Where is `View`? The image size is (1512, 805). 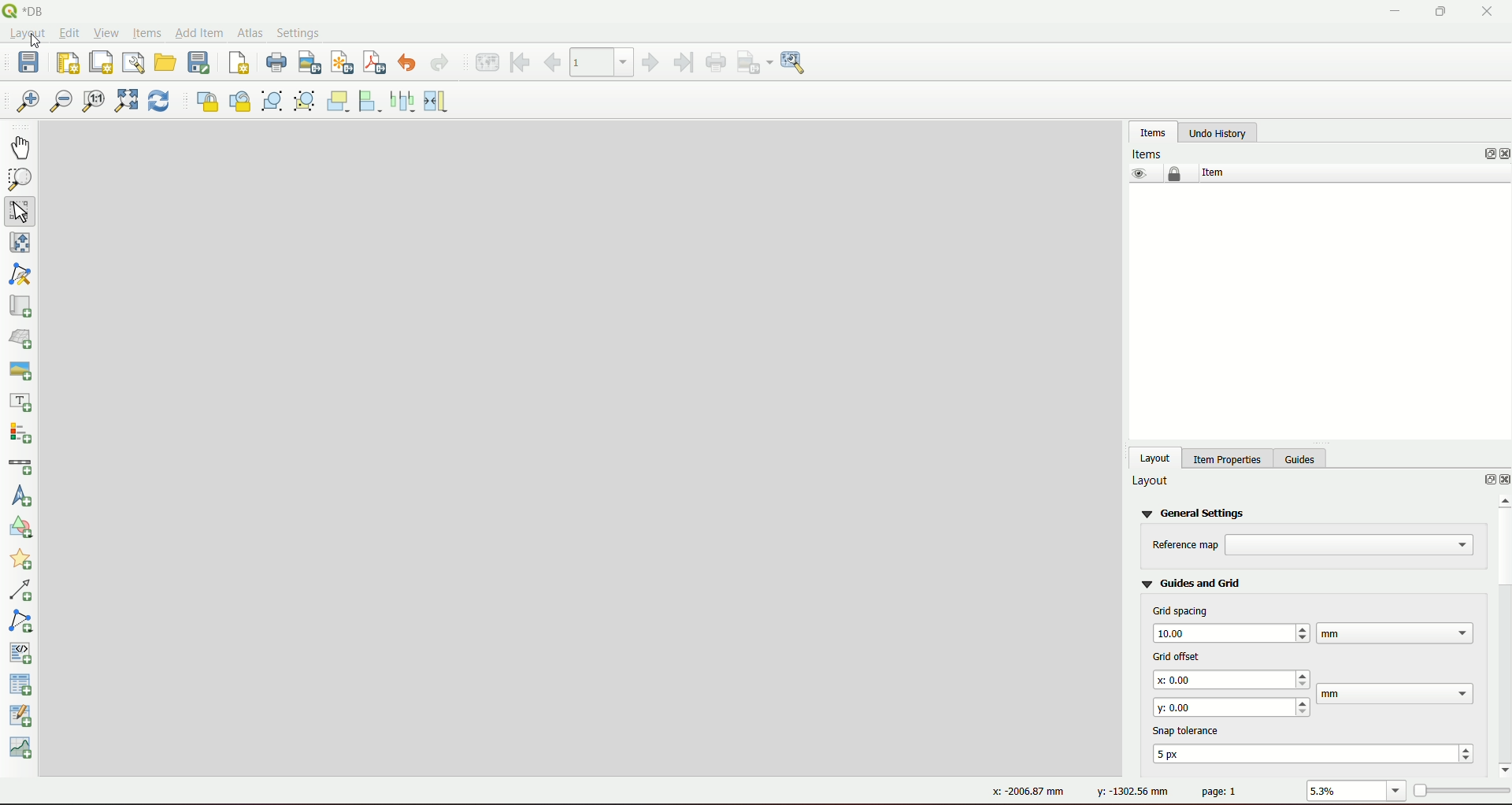
View is located at coordinates (107, 33).